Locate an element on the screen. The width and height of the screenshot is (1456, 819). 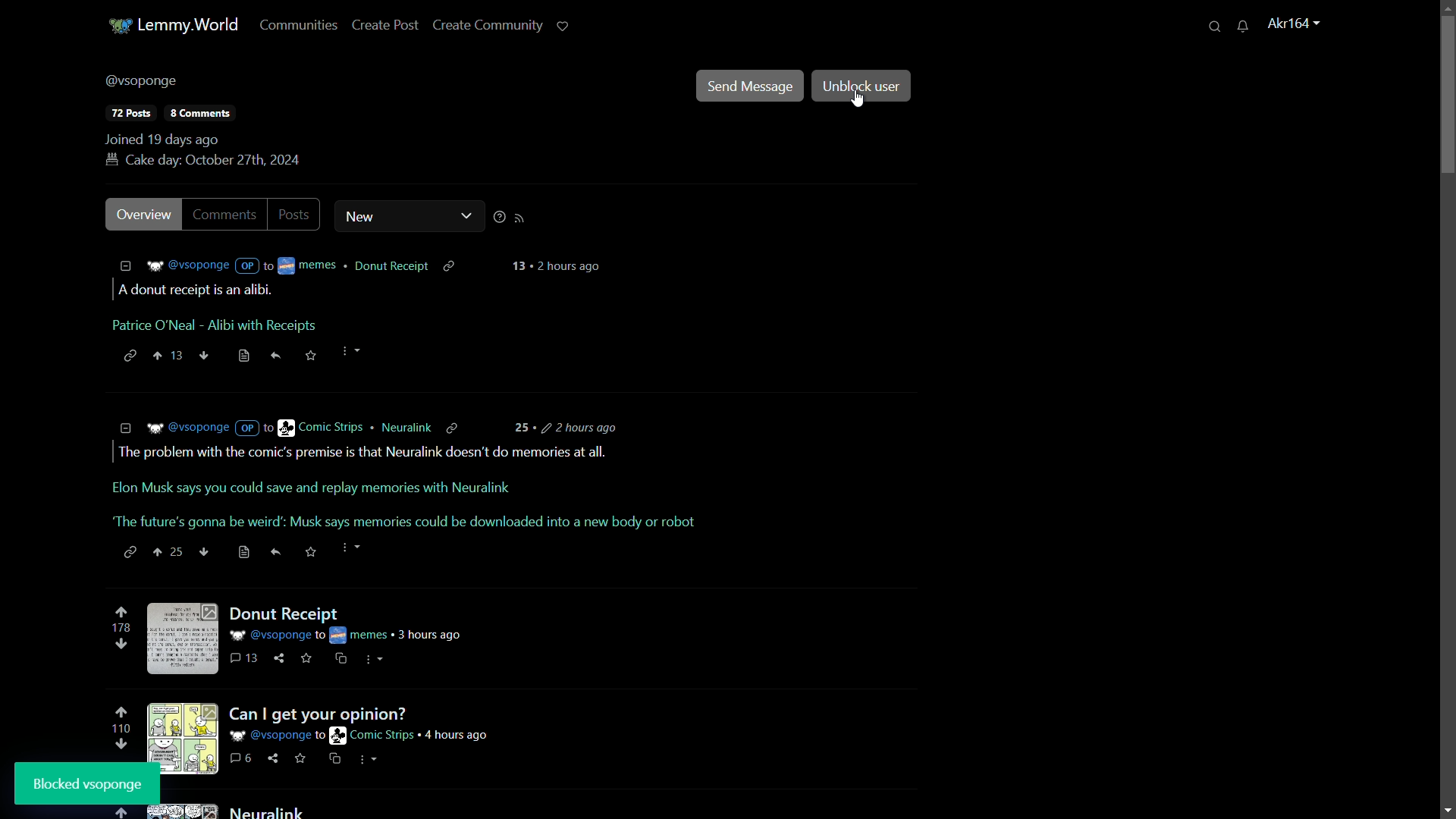
time is located at coordinates (561, 266).